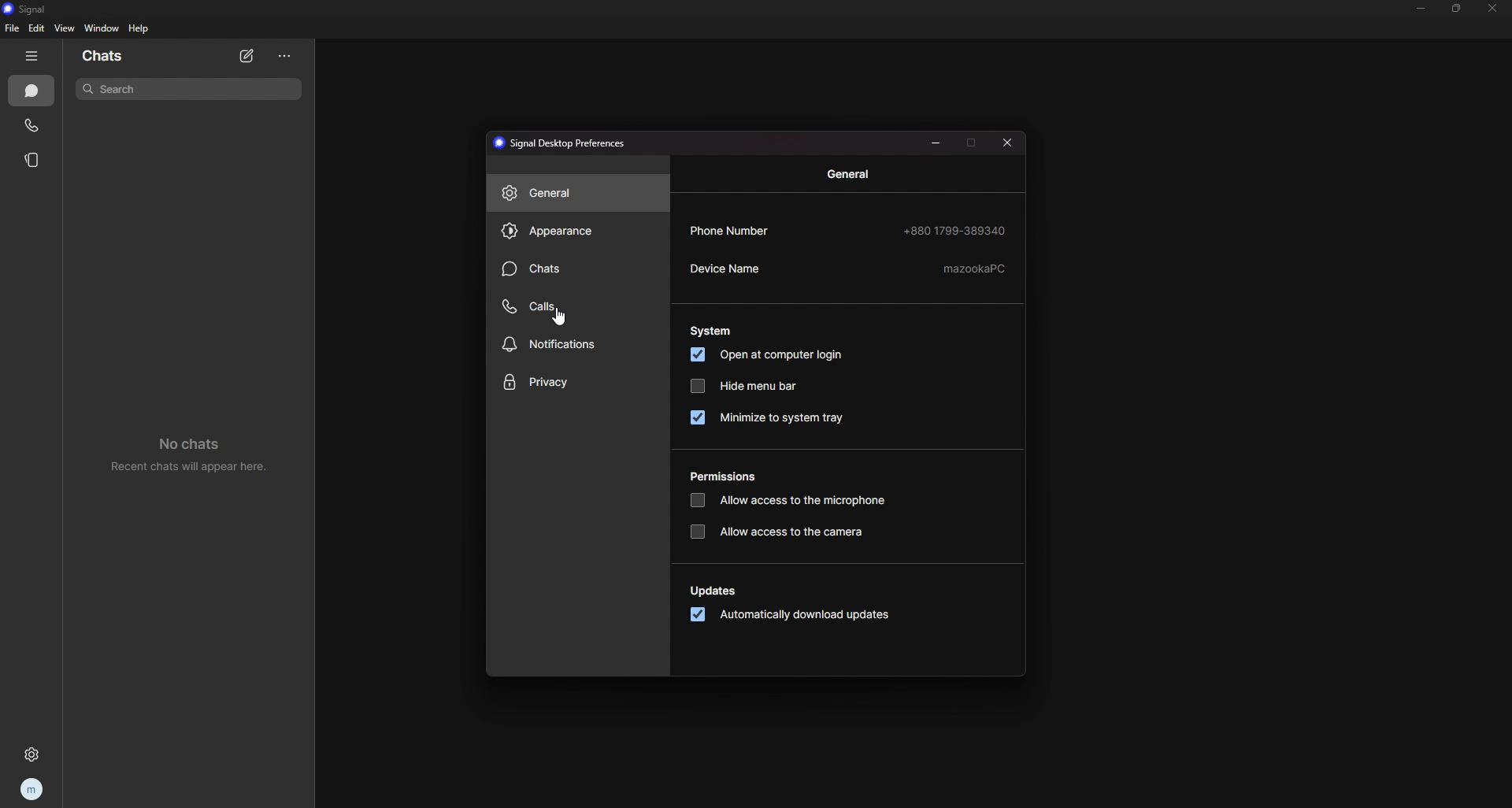 Image resolution: width=1512 pixels, height=808 pixels. I want to click on settings, so click(35, 755).